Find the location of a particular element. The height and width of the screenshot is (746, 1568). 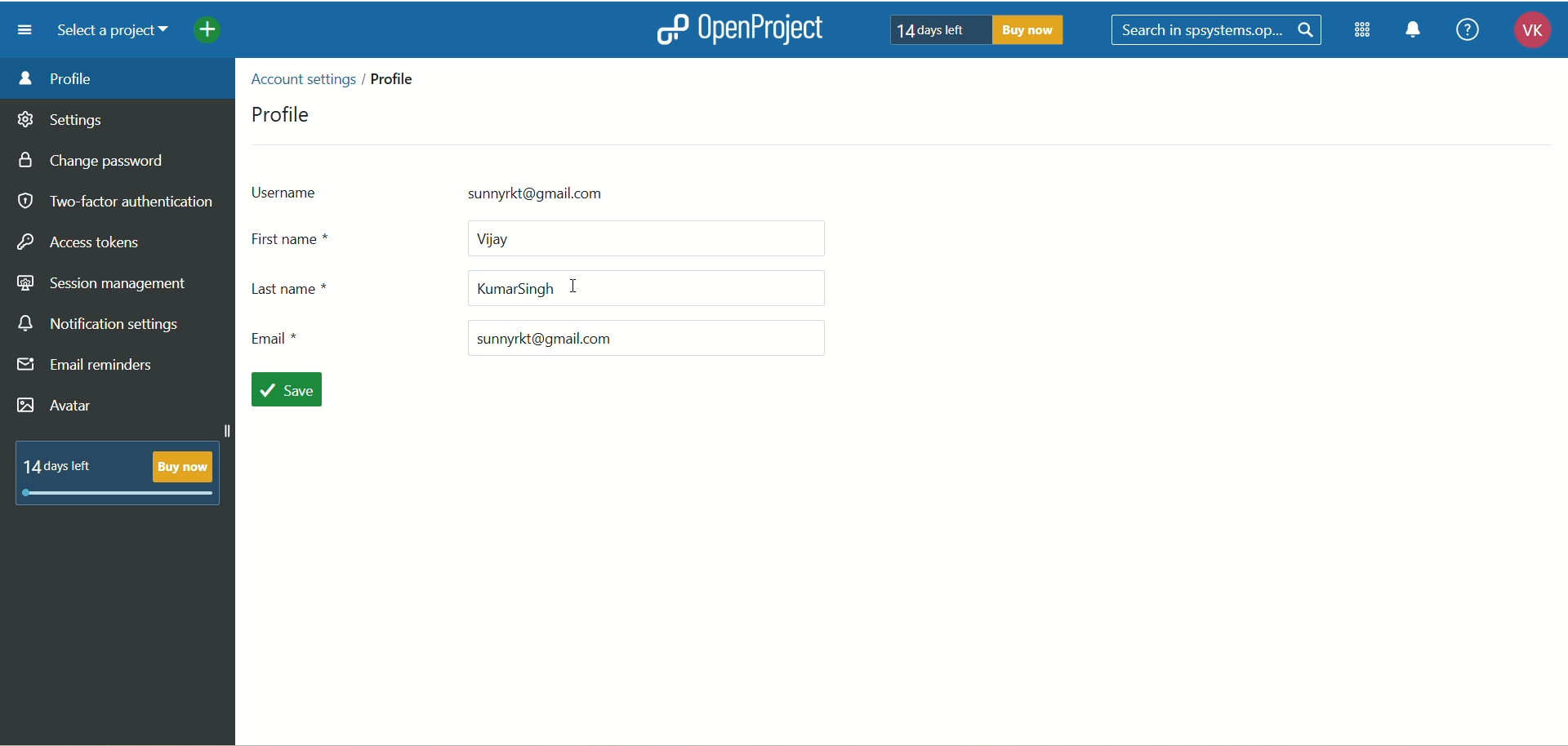

add project is located at coordinates (219, 33).